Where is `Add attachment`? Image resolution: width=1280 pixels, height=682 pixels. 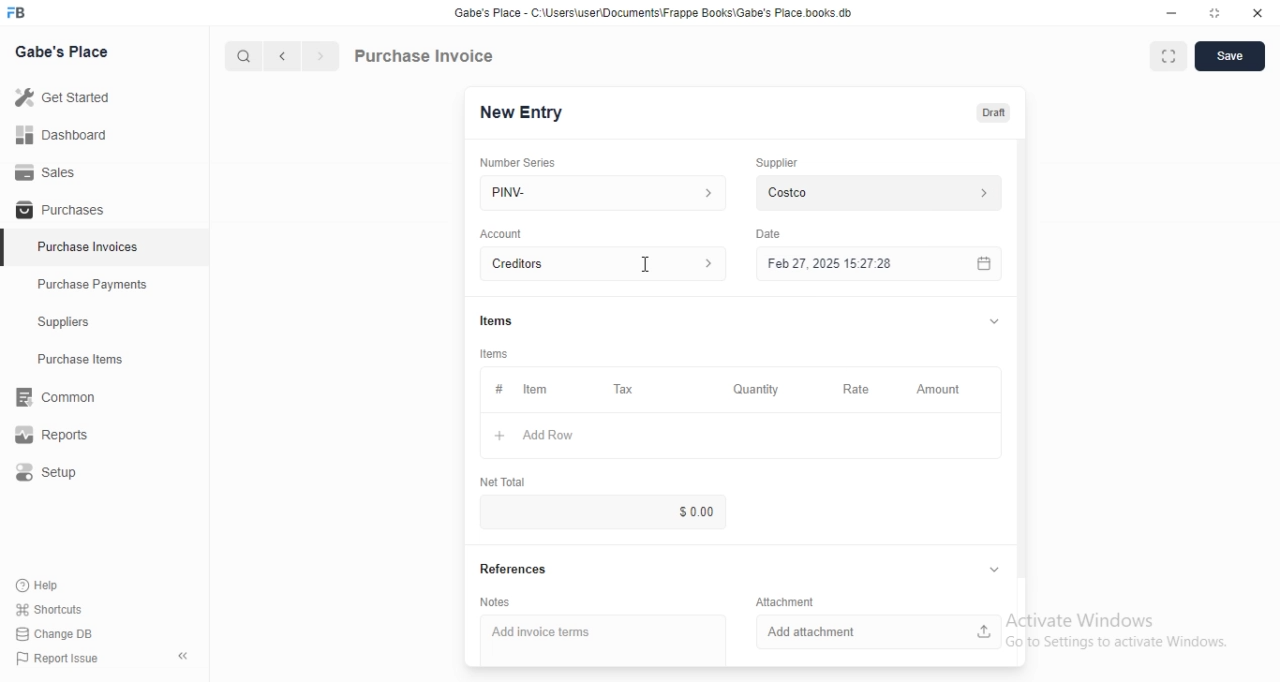 Add attachment is located at coordinates (879, 632).